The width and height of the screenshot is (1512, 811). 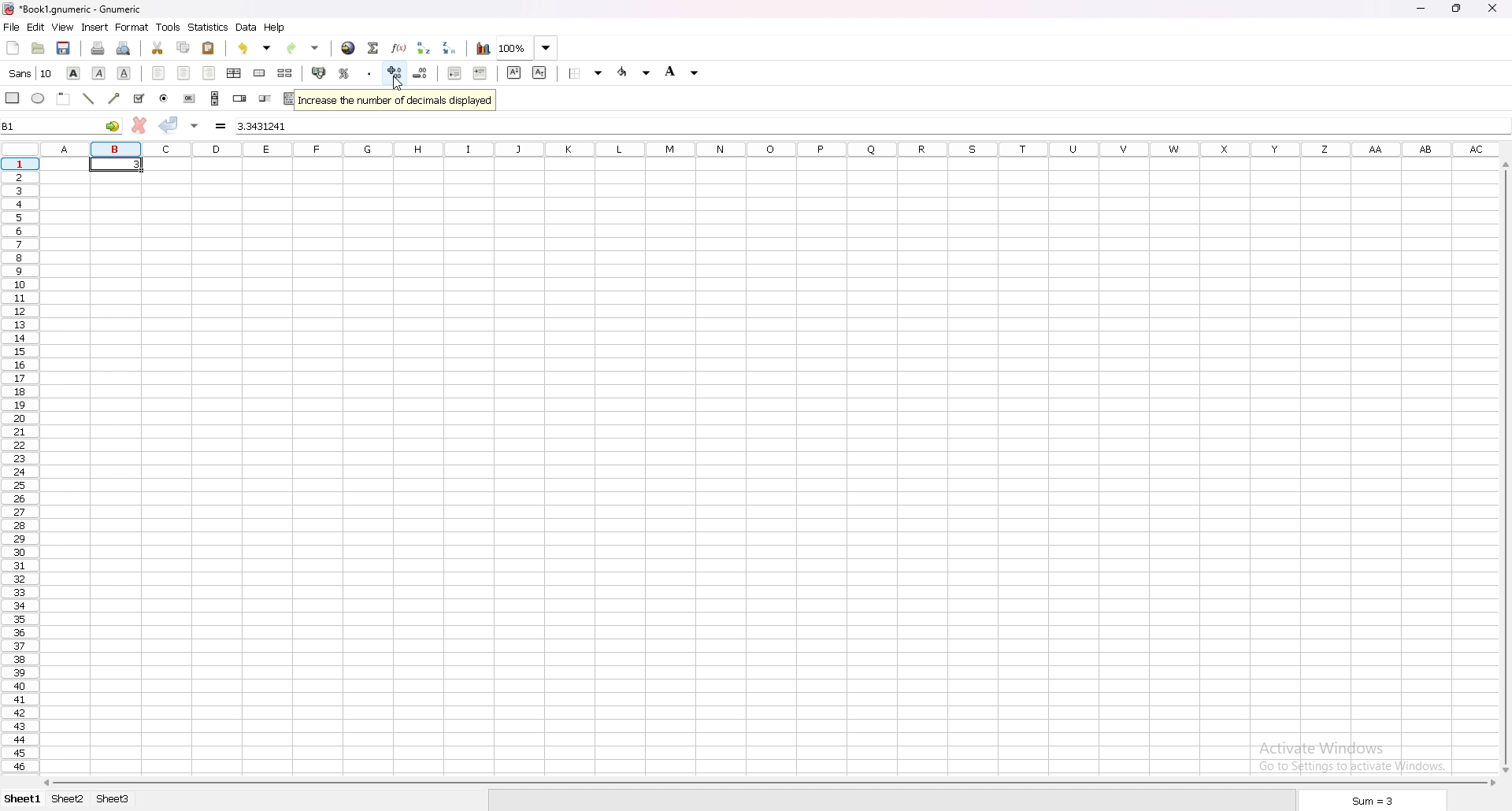 What do you see at coordinates (514, 72) in the screenshot?
I see `superscript` at bounding box center [514, 72].